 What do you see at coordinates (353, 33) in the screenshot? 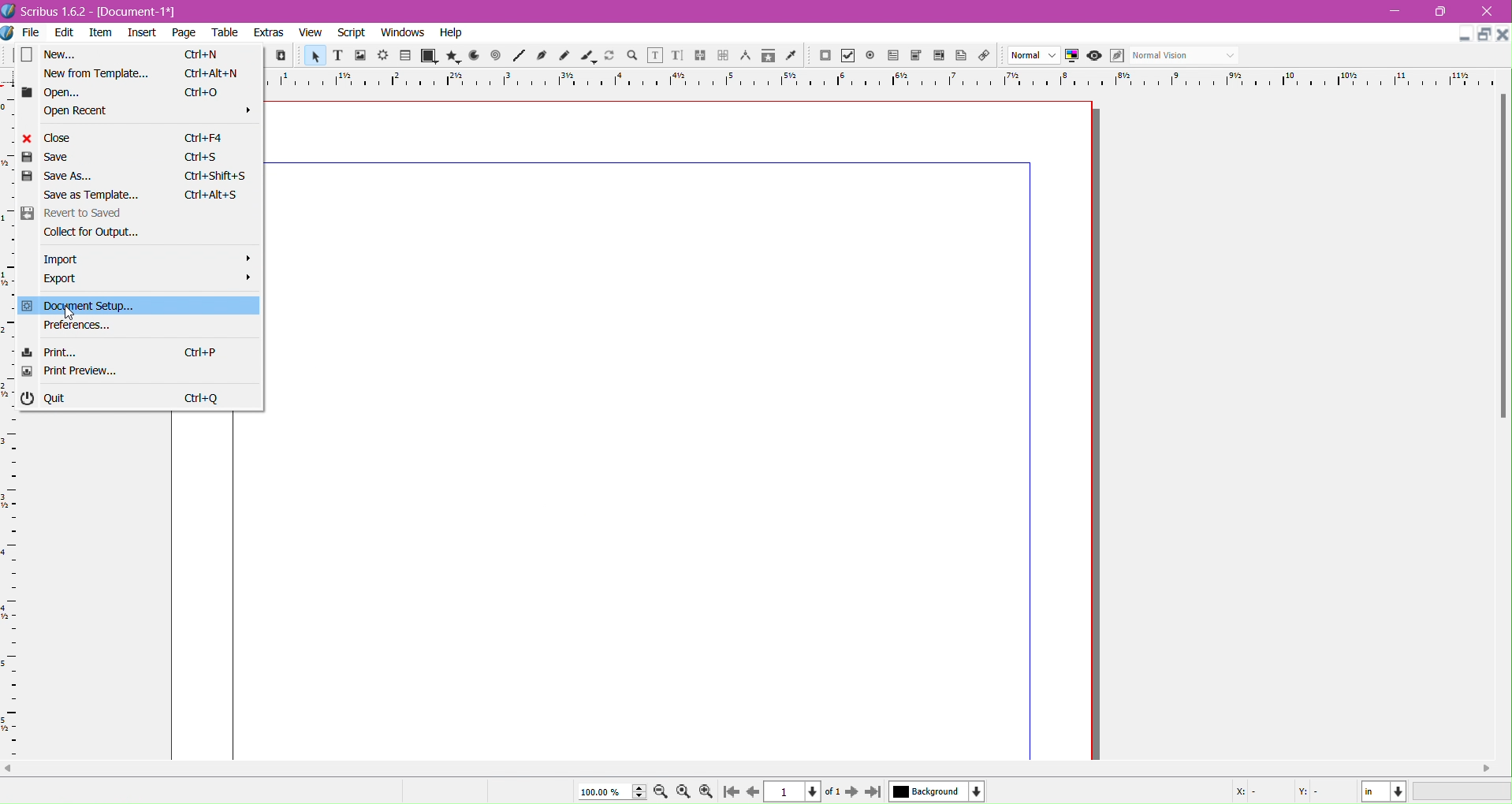
I see `script menu` at bounding box center [353, 33].